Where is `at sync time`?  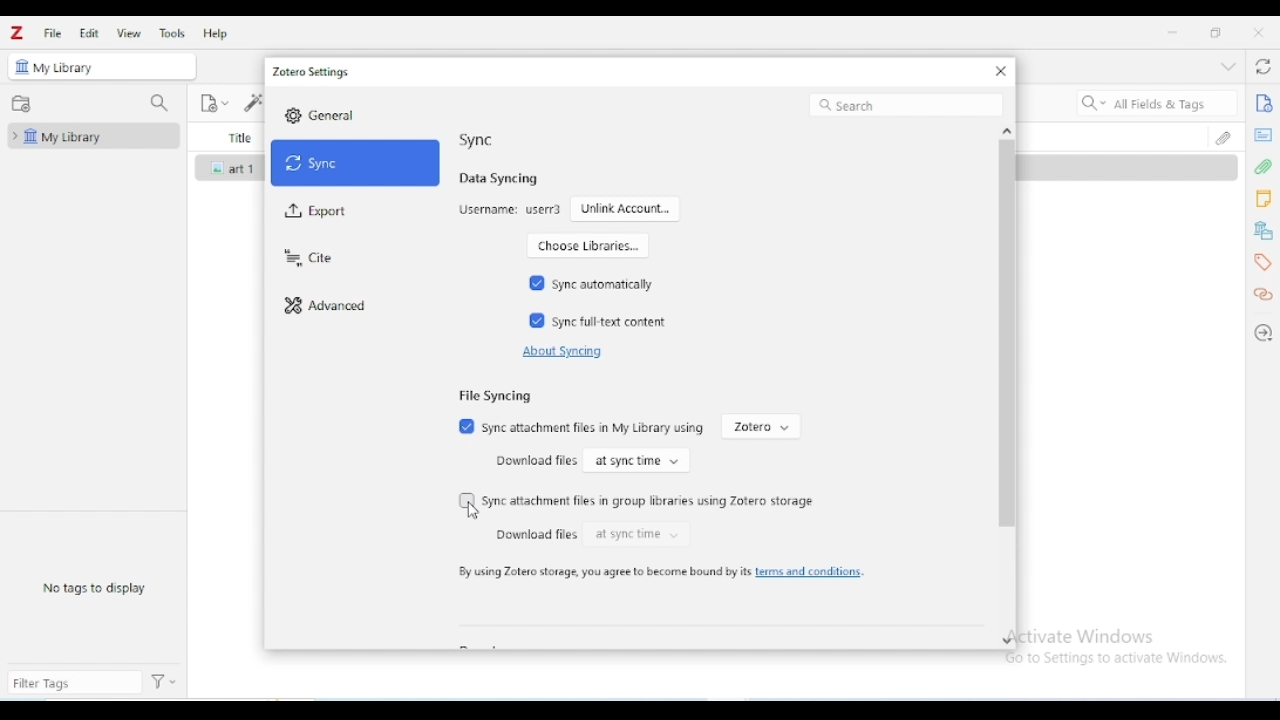 at sync time is located at coordinates (635, 535).